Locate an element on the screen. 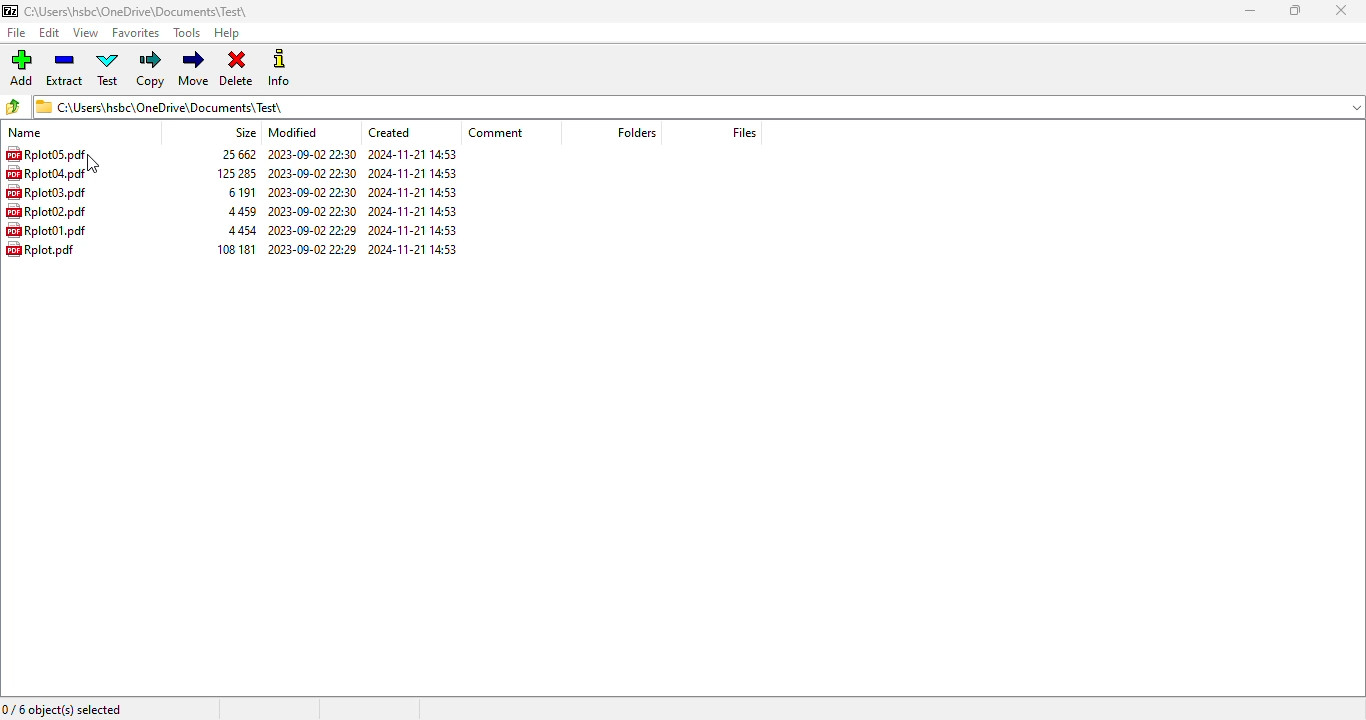 This screenshot has width=1366, height=720. name is located at coordinates (25, 132).